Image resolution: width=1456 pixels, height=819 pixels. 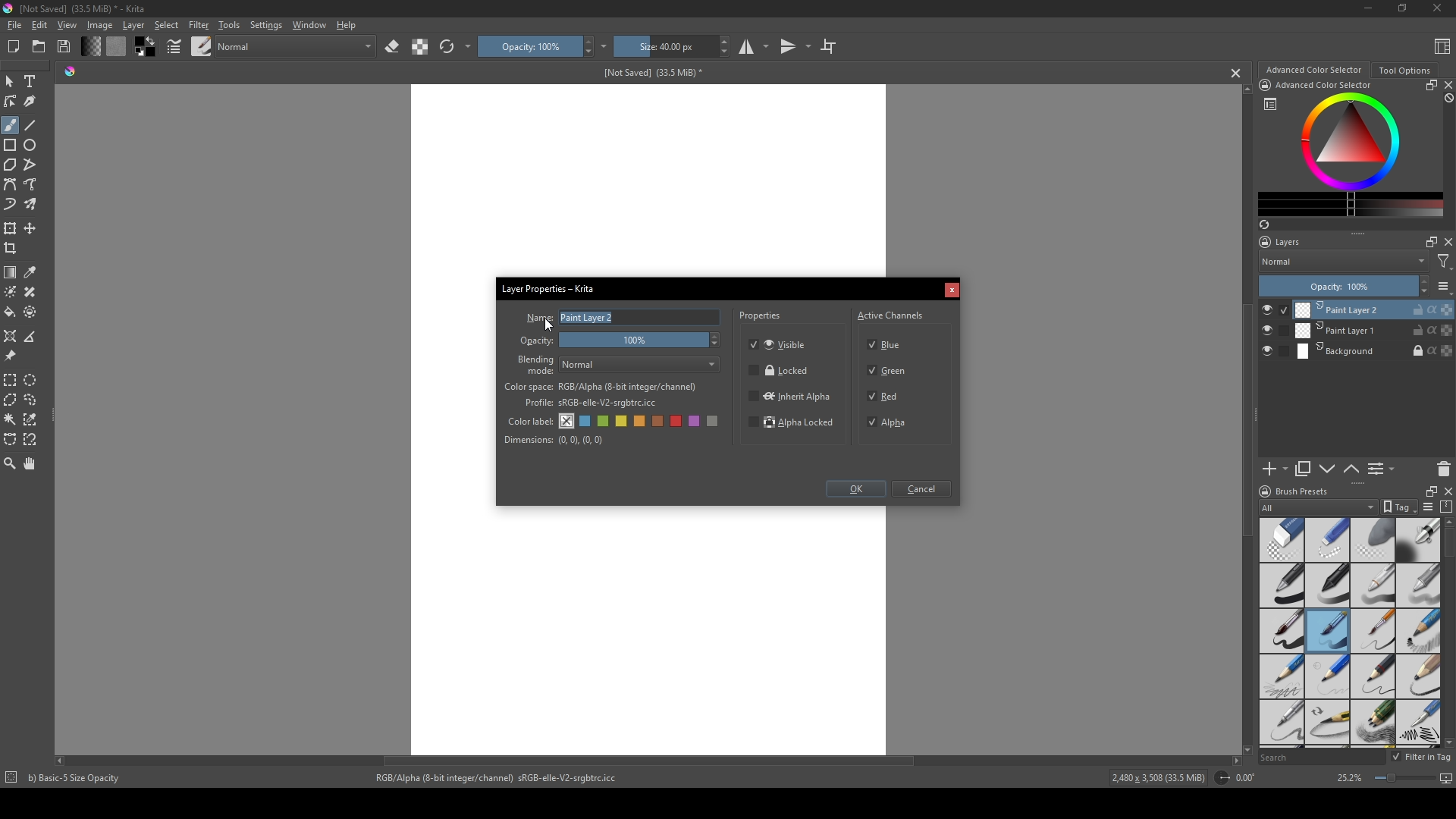 I want to click on folder, so click(x=39, y=47).